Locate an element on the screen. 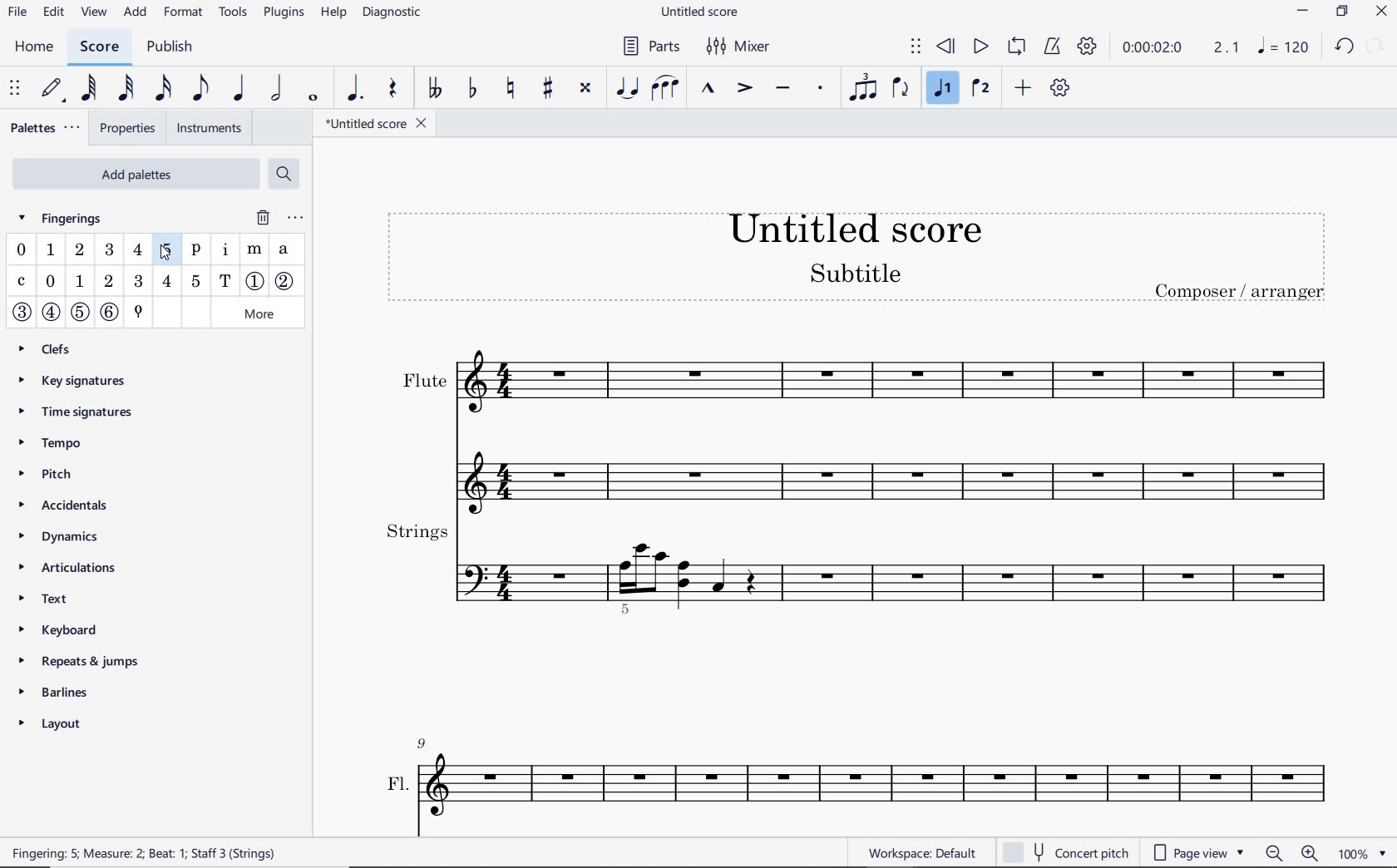  STRING NUMBER 1 is located at coordinates (256, 279).